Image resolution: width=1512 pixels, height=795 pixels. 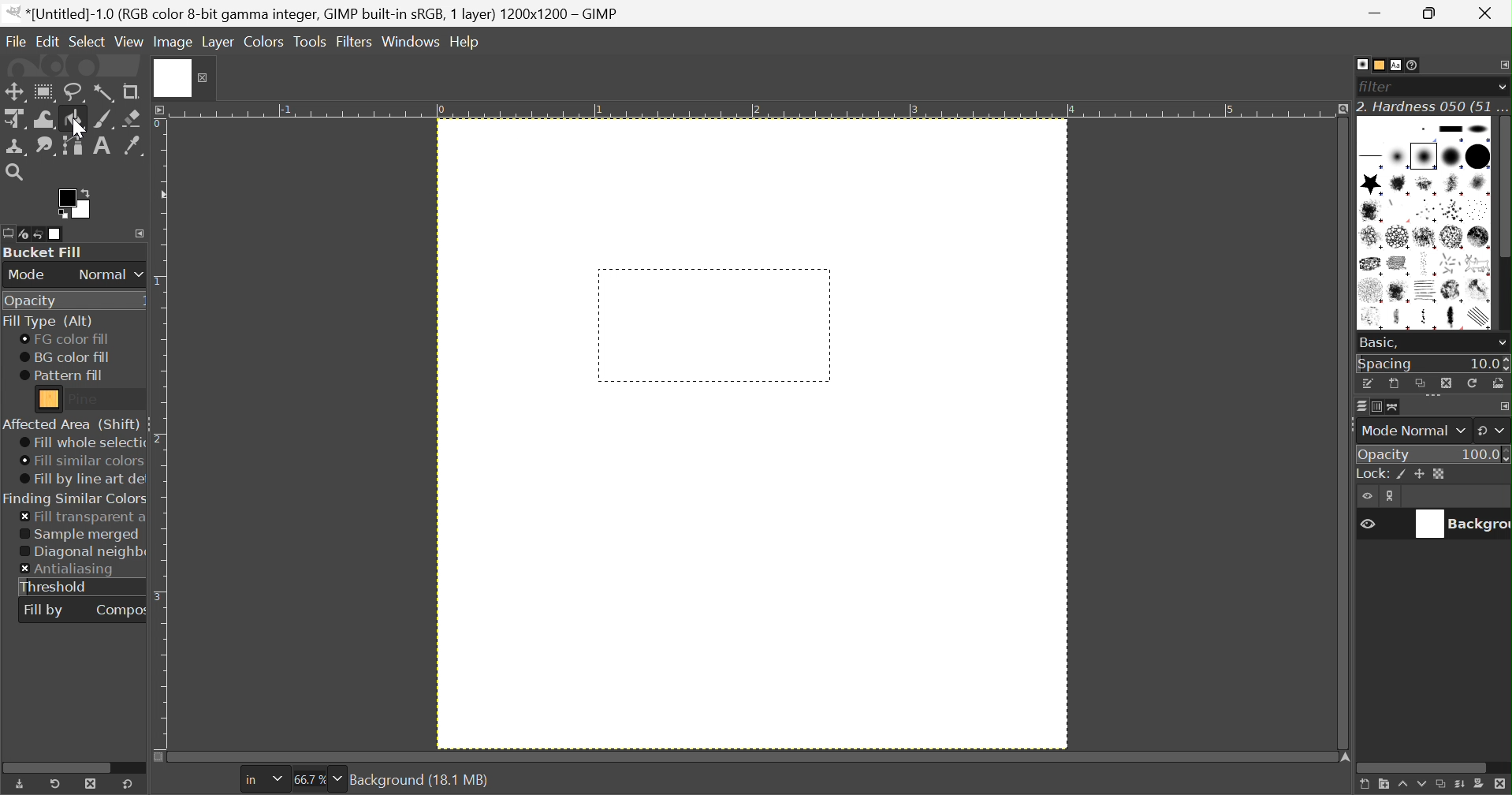 What do you see at coordinates (81, 443) in the screenshot?
I see `Fill whole selection` at bounding box center [81, 443].